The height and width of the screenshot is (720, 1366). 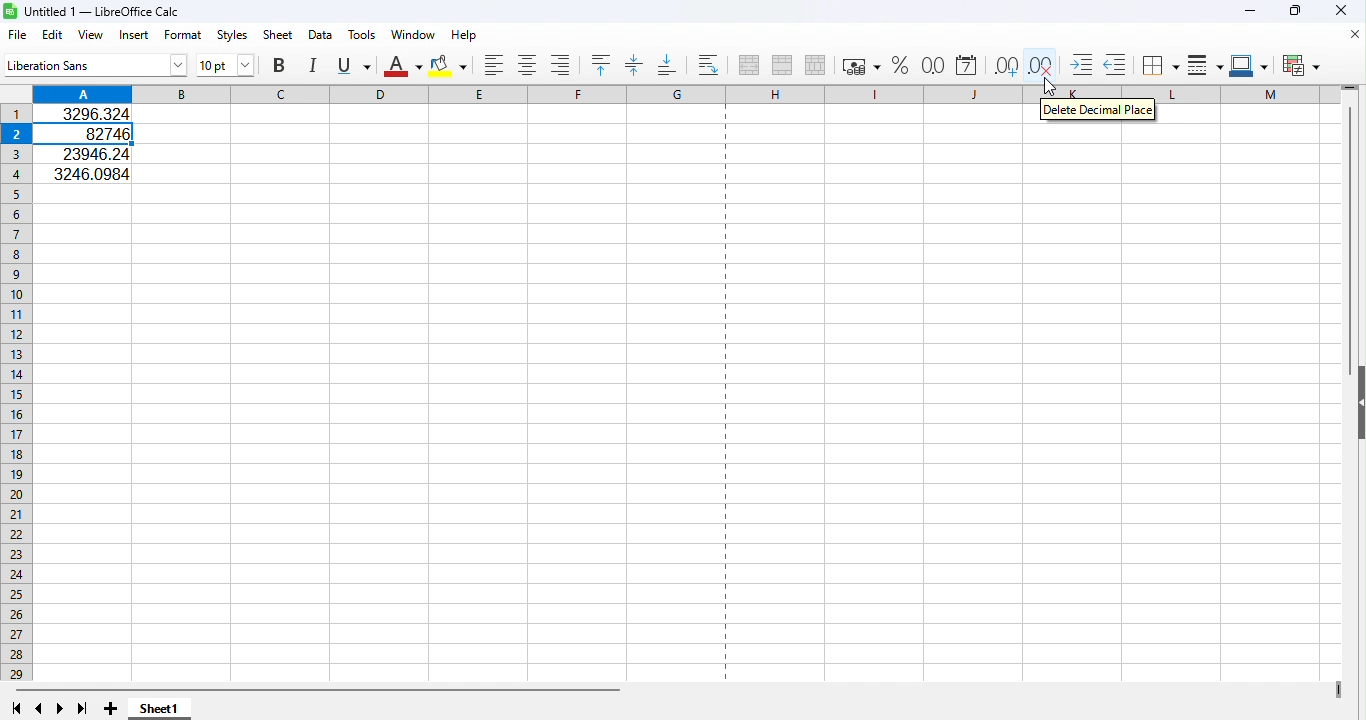 What do you see at coordinates (1114, 64) in the screenshot?
I see `Decrease indent` at bounding box center [1114, 64].